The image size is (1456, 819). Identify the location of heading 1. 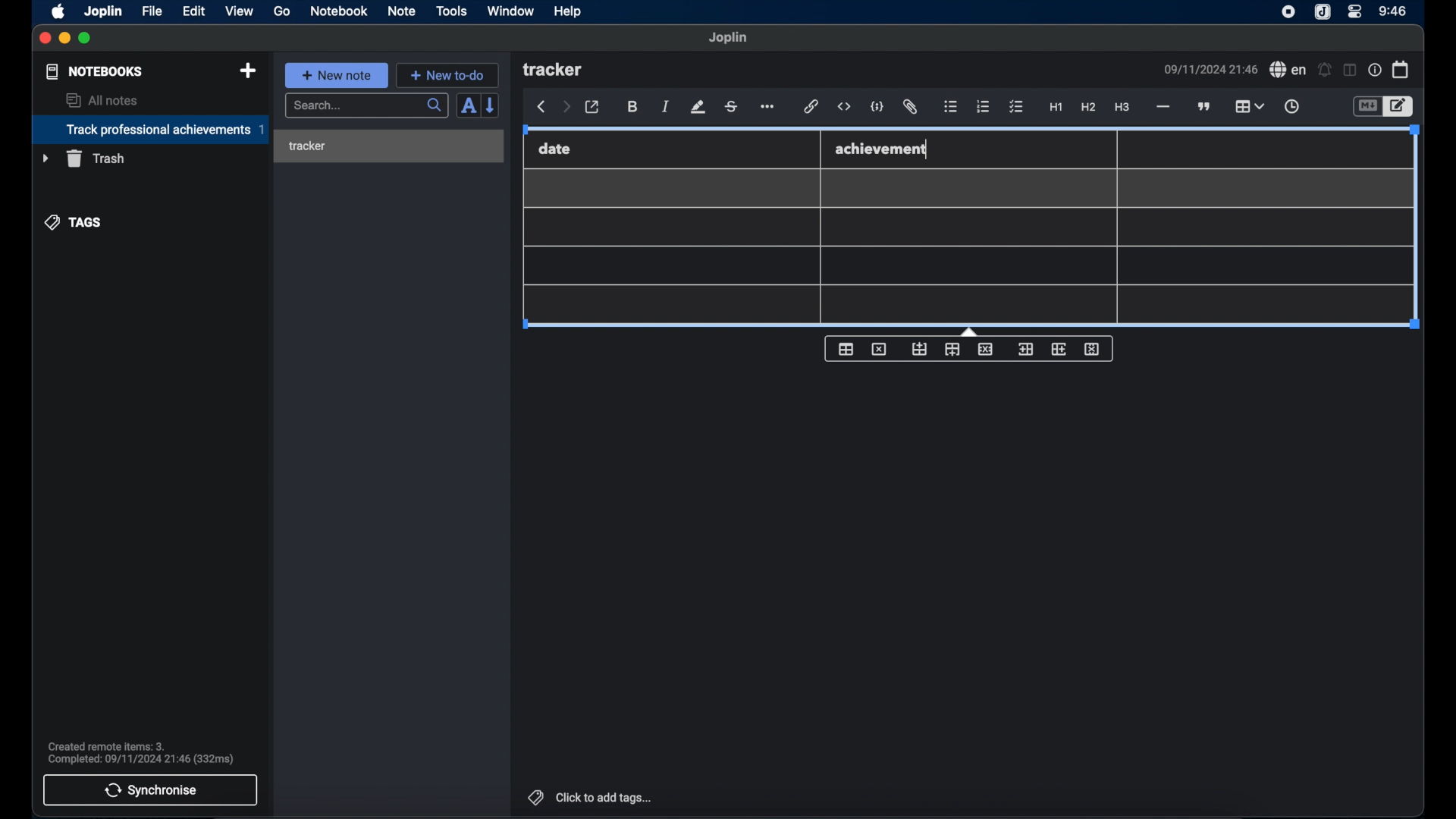
(1056, 108).